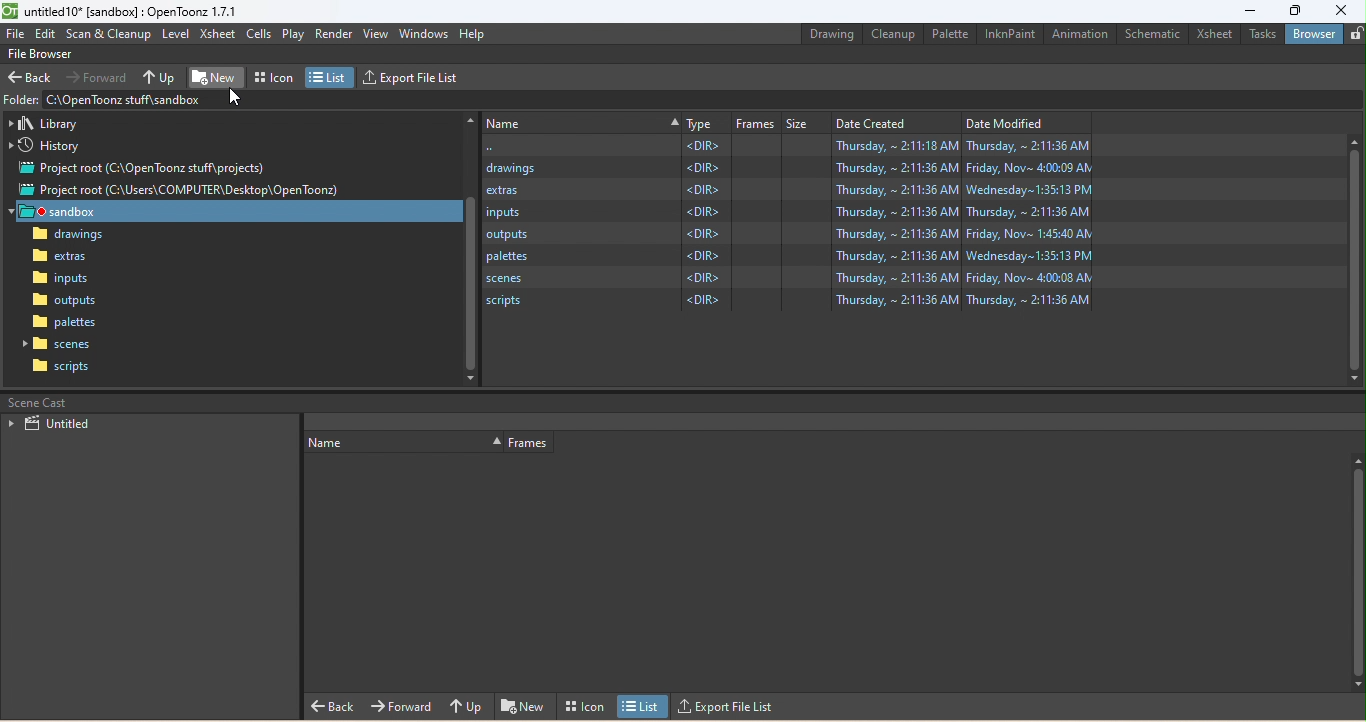 The height and width of the screenshot is (722, 1366). Describe the element at coordinates (828, 36) in the screenshot. I see `Drawing` at that location.